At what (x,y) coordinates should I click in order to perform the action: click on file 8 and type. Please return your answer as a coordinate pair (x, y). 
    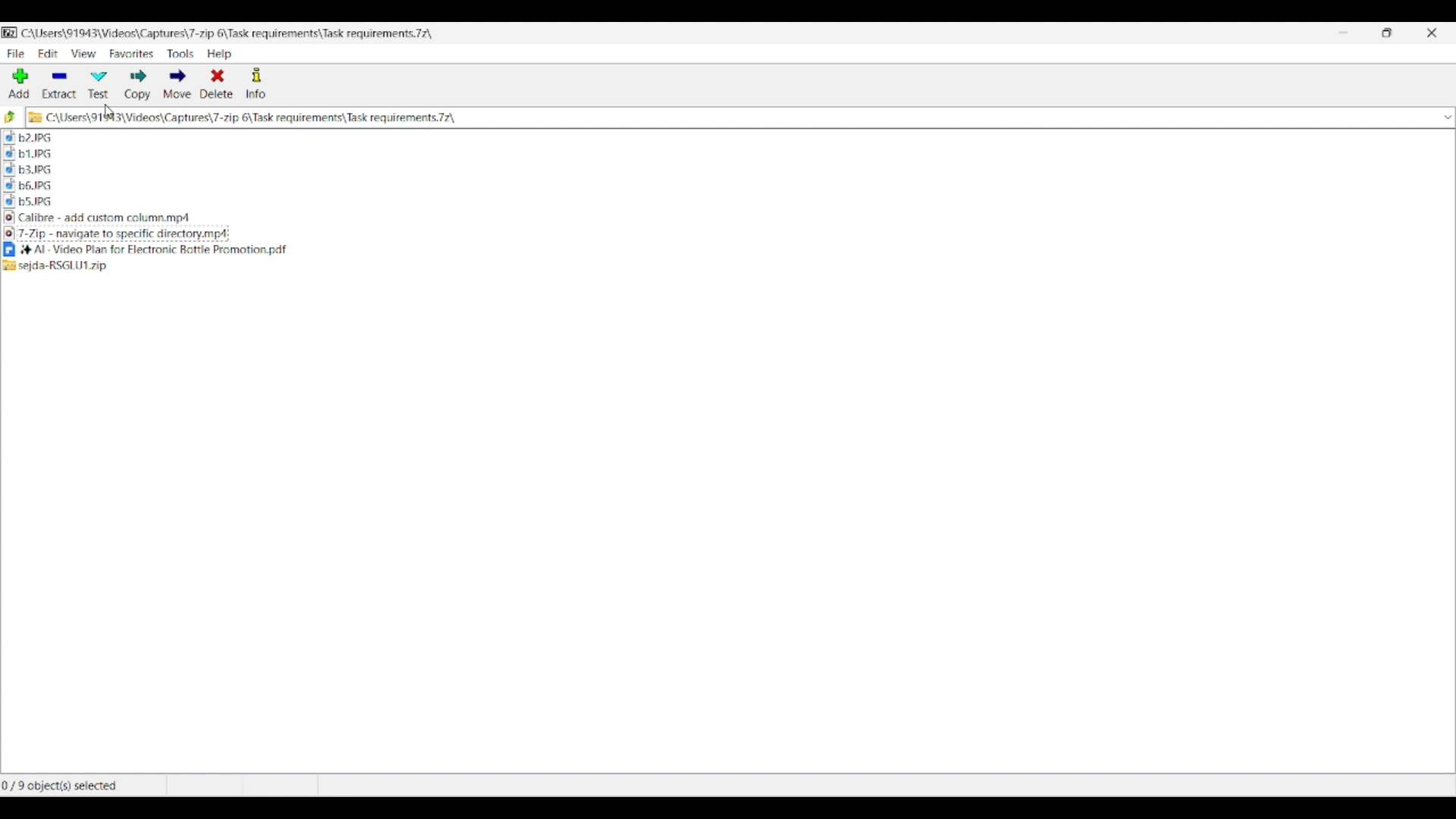
    Looking at the image, I should click on (413, 268).